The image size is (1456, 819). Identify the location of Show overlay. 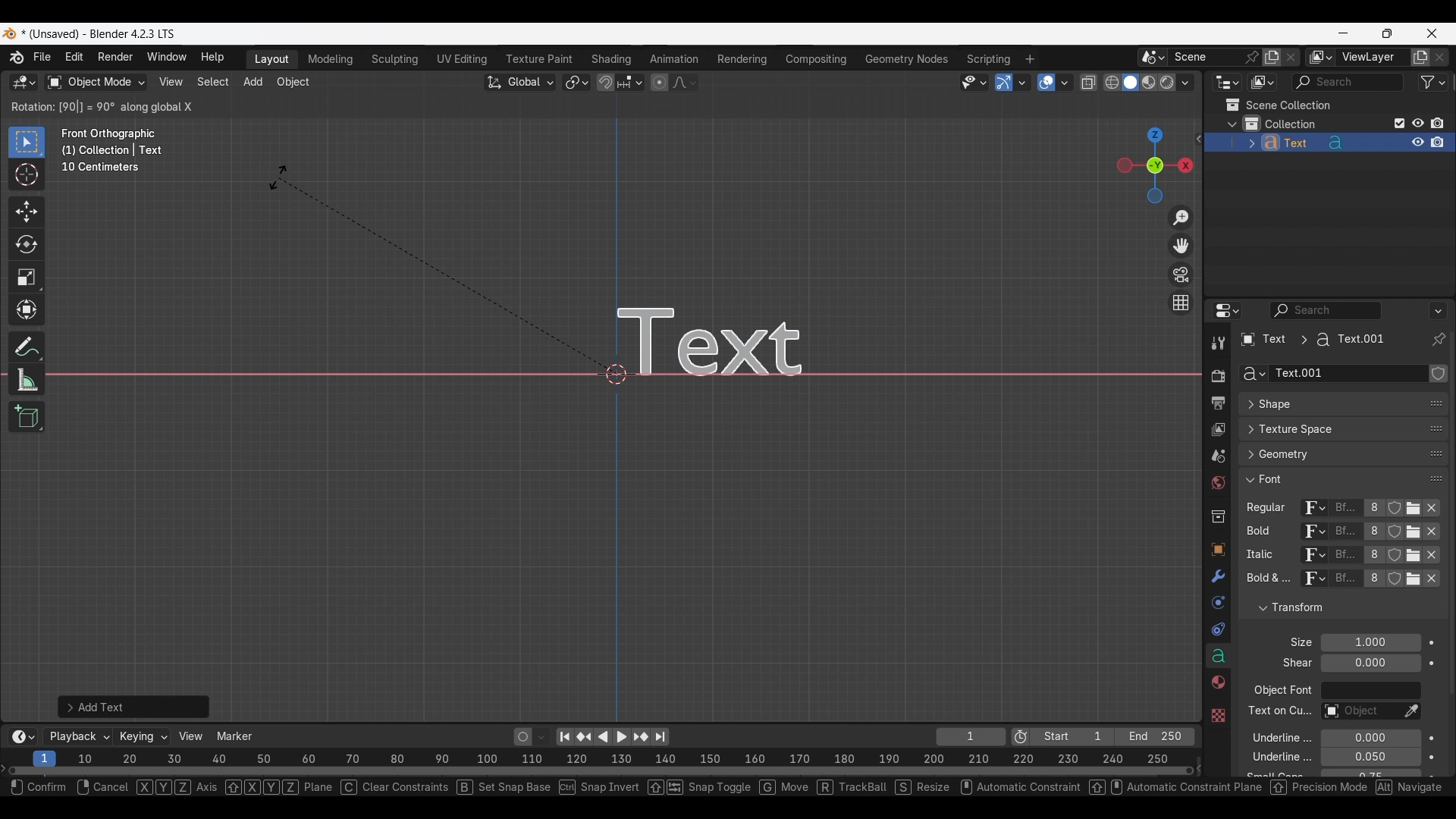
(1046, 83).